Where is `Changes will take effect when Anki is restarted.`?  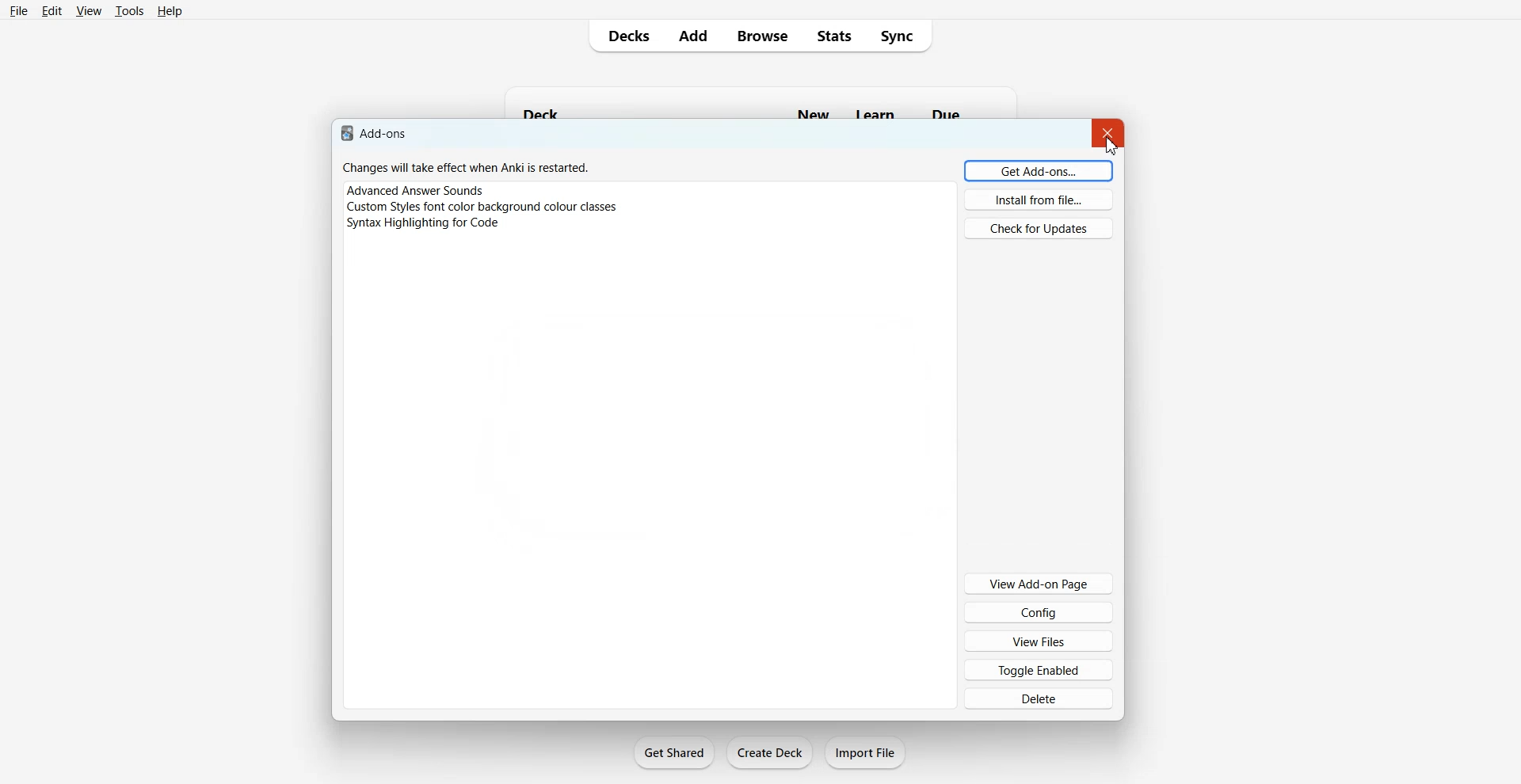
Changes will take effect when Anki is restarted. is located at coordinates (469, 169).